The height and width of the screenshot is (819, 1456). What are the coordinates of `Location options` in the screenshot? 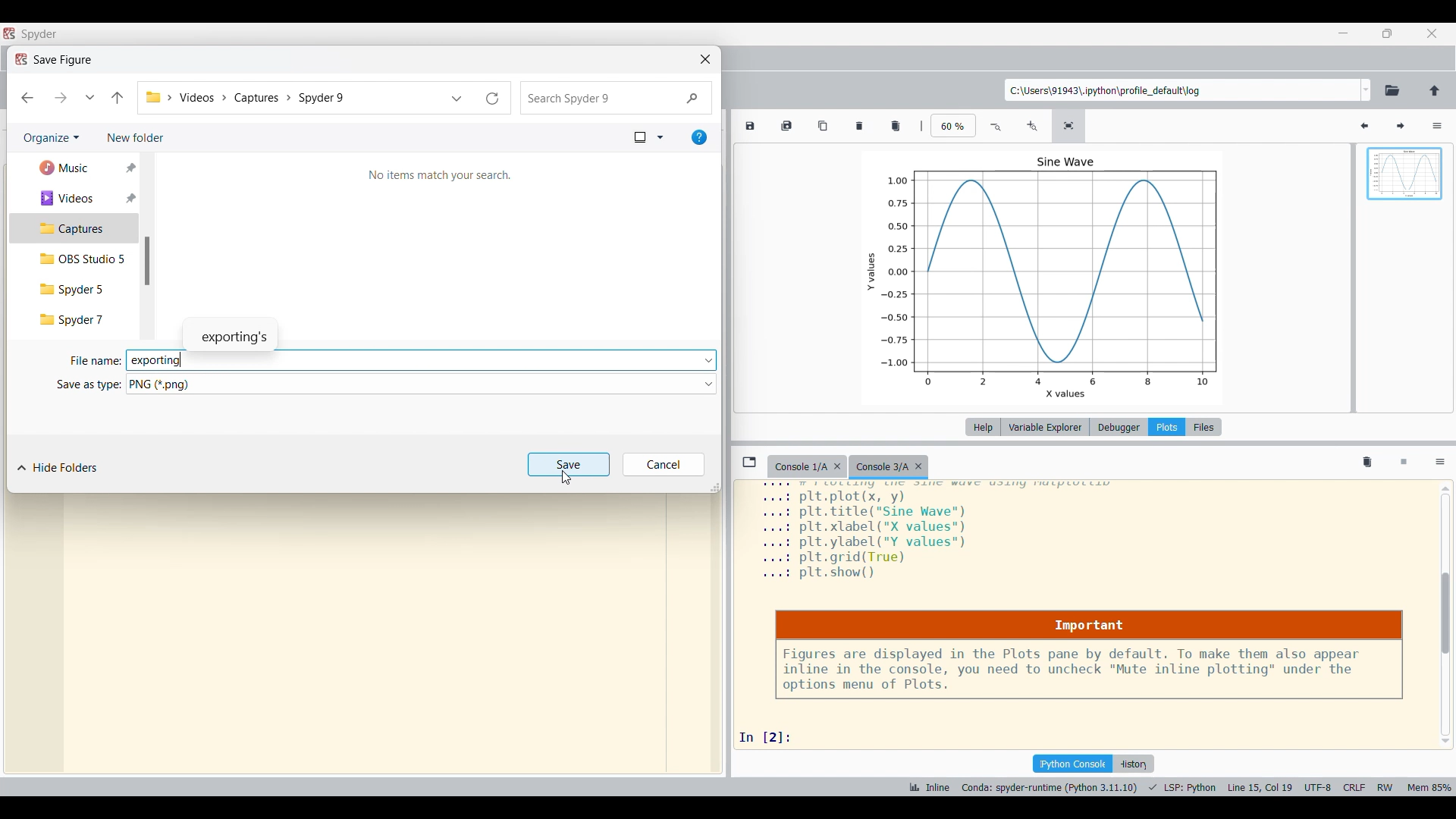 It's located at (1367, 89).